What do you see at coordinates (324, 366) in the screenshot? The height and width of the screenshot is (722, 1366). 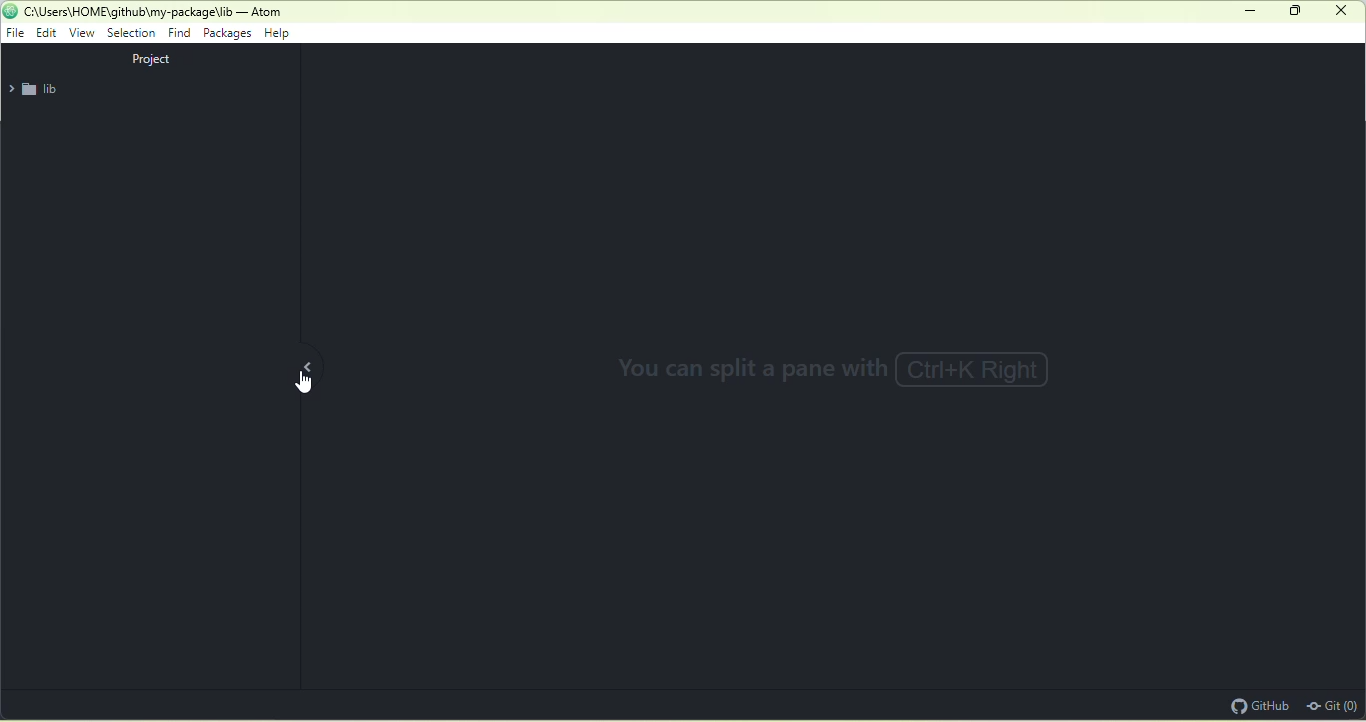 I see `collapse button` at bounding box center [324, 366].